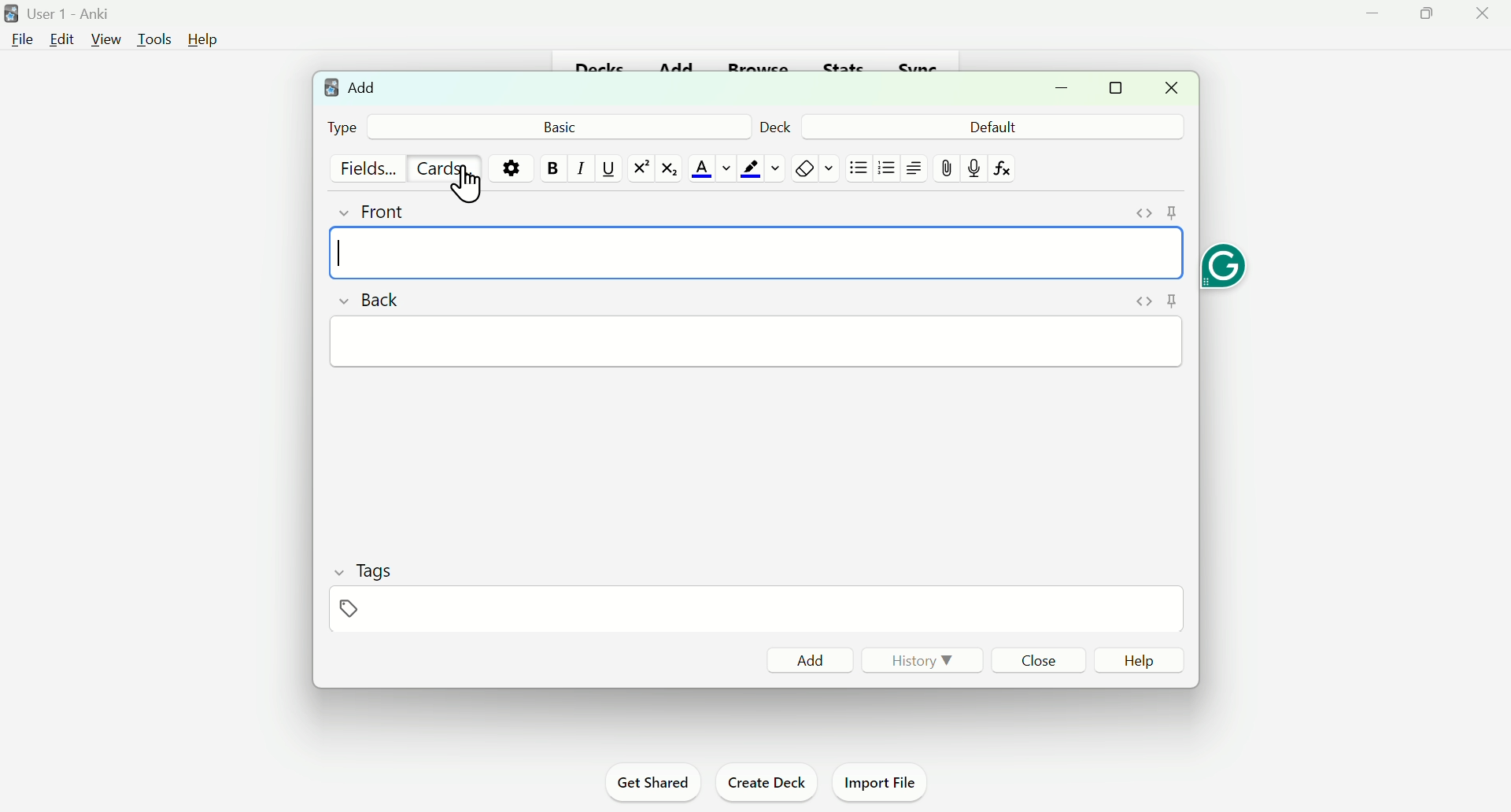 This screenshot has height=812, width=1511. I want to click on Close, so click(1039, 660).